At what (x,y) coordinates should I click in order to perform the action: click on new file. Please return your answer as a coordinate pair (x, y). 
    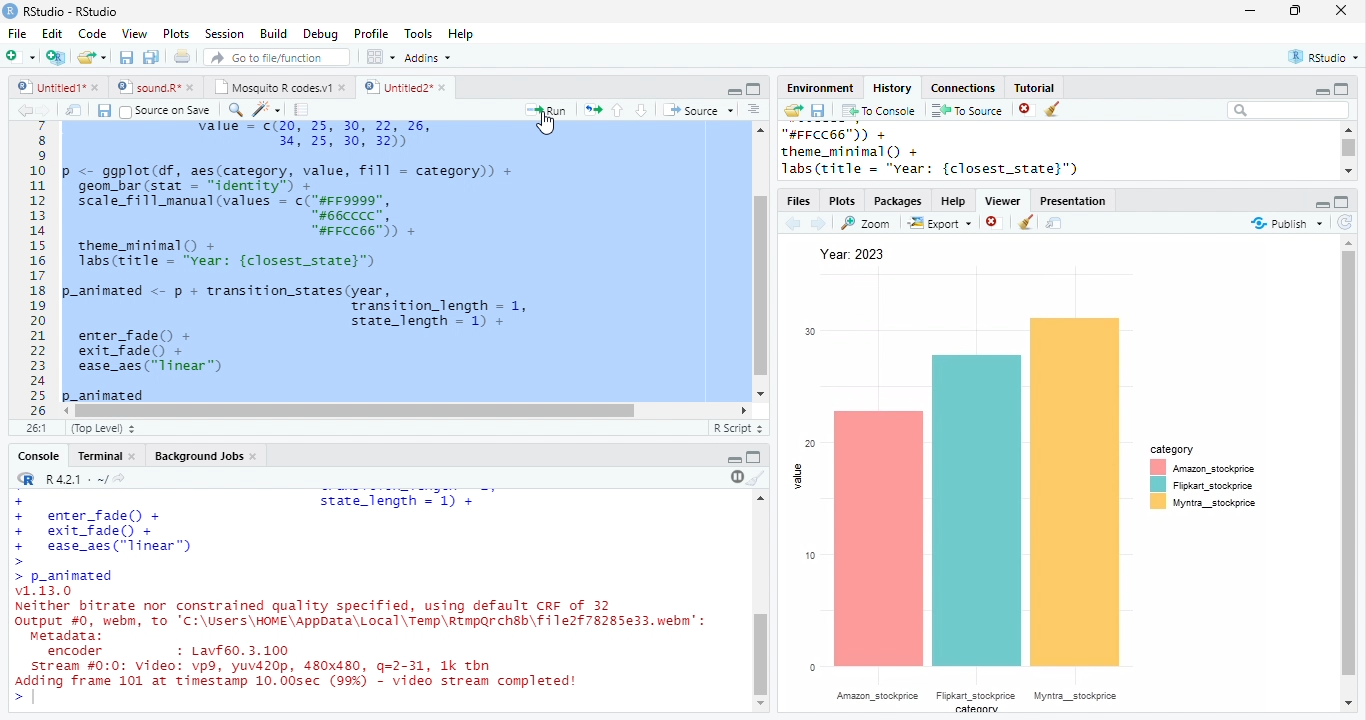
    Looking at the image, I should click on (20, 57).